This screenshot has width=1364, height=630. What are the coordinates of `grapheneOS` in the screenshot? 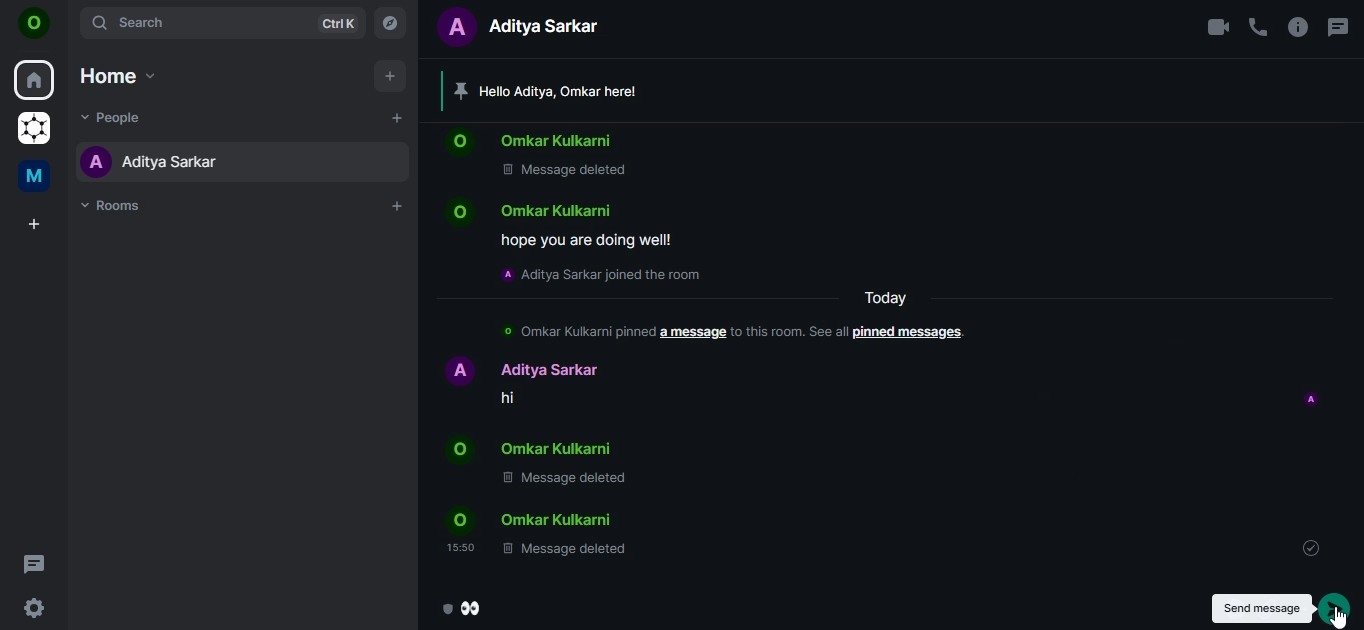 It's located at (33, 126).